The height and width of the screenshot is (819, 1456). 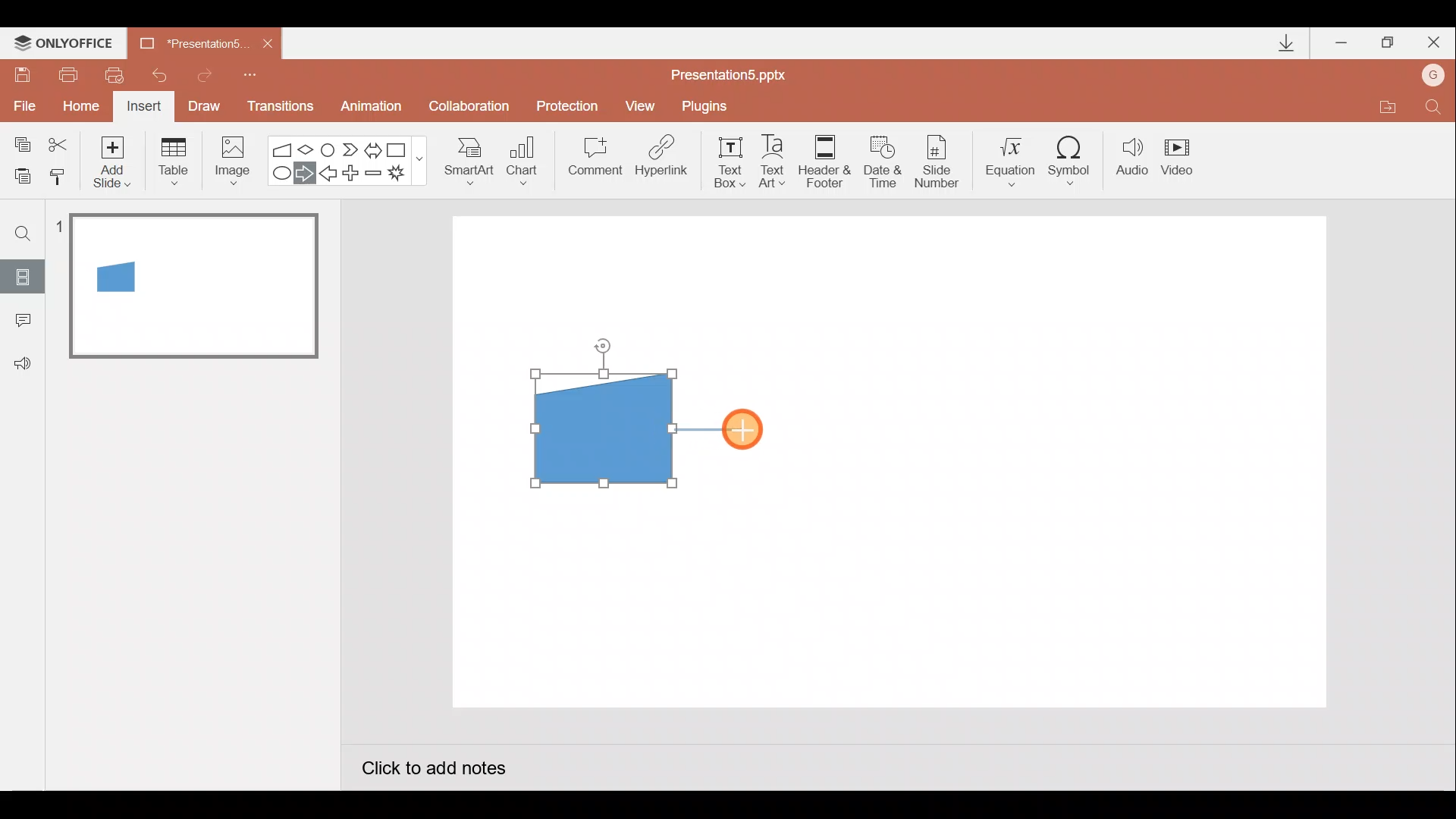 I want to click on Close, so click(x=1434, y=45).